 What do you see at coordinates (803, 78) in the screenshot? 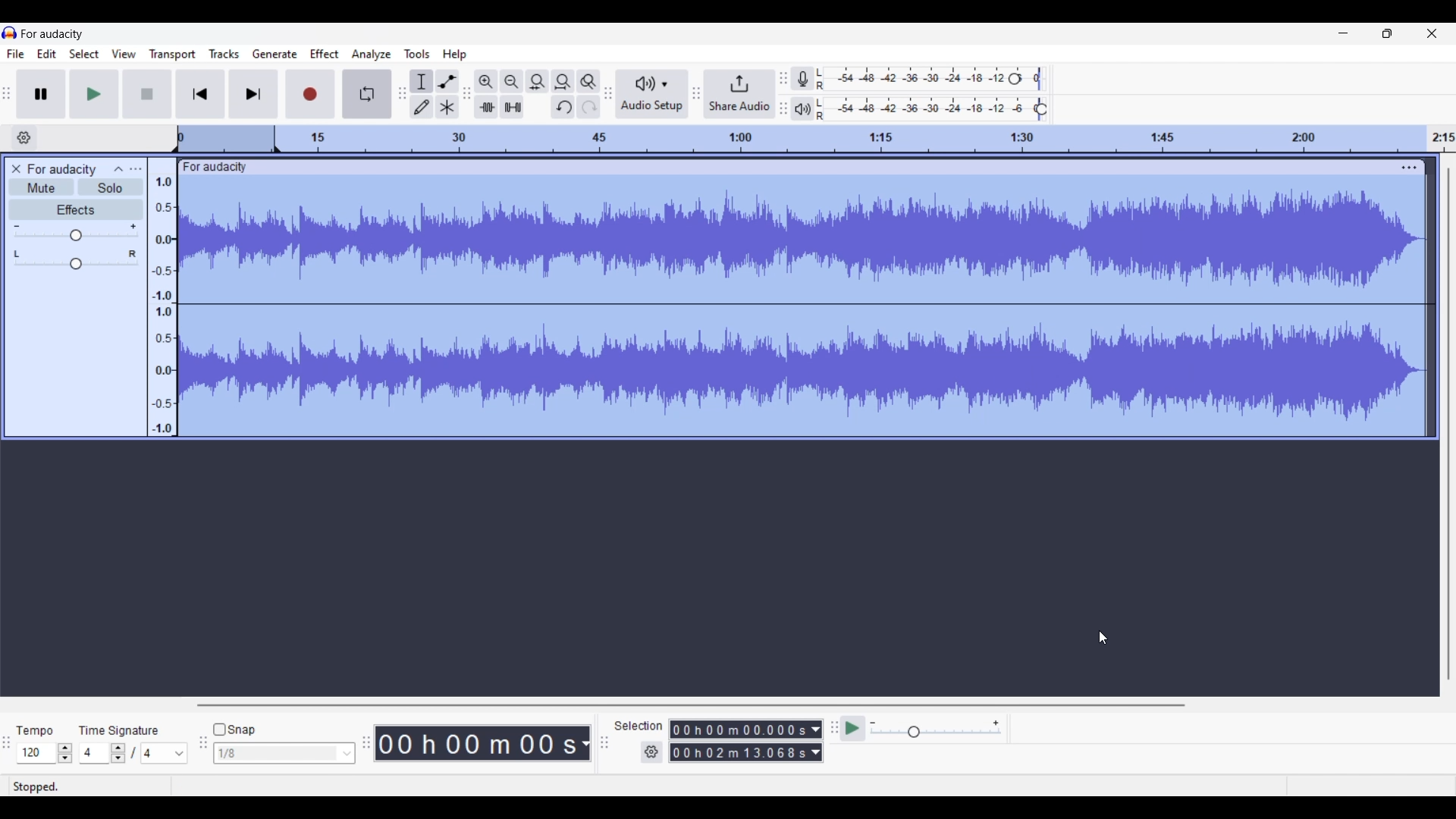
I see `Record meter` at bounding box center [803, 78].